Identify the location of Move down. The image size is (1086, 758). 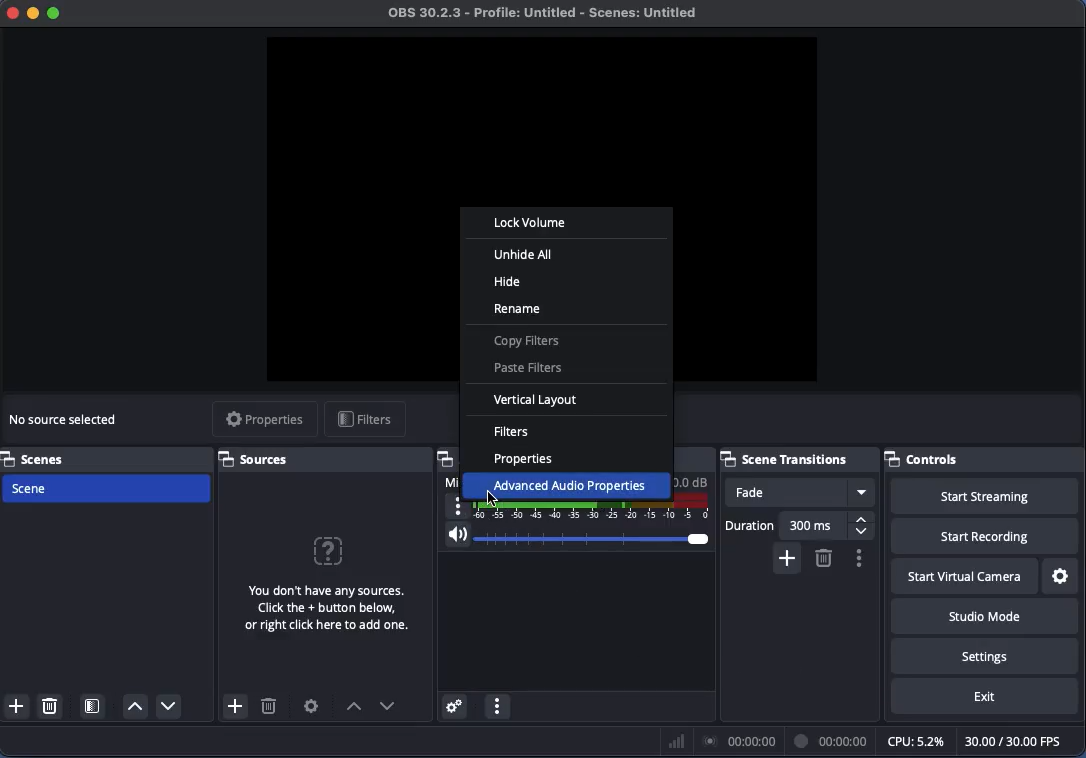
(388, 706).